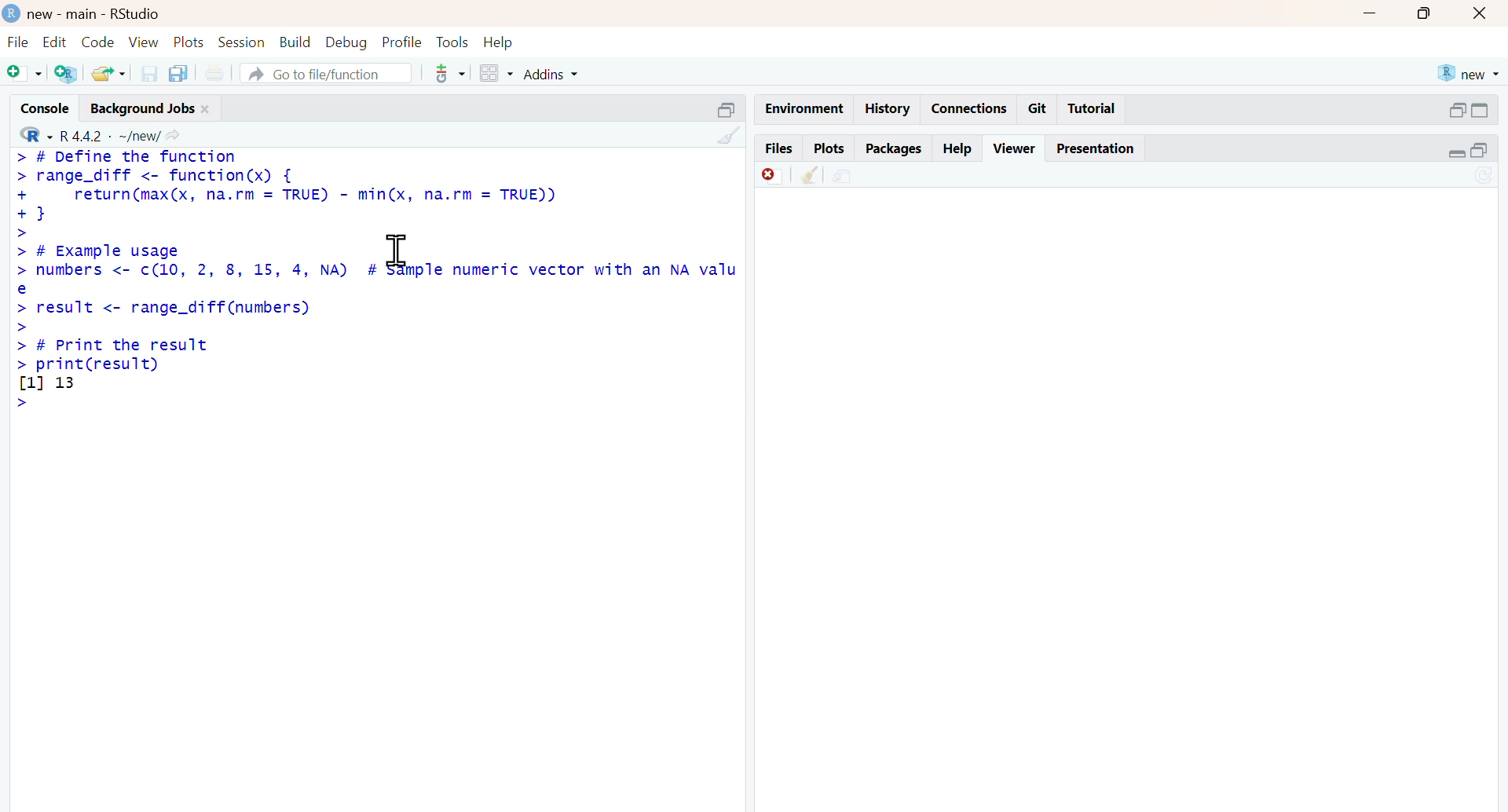  I want to click on connections, so click(970, 109).